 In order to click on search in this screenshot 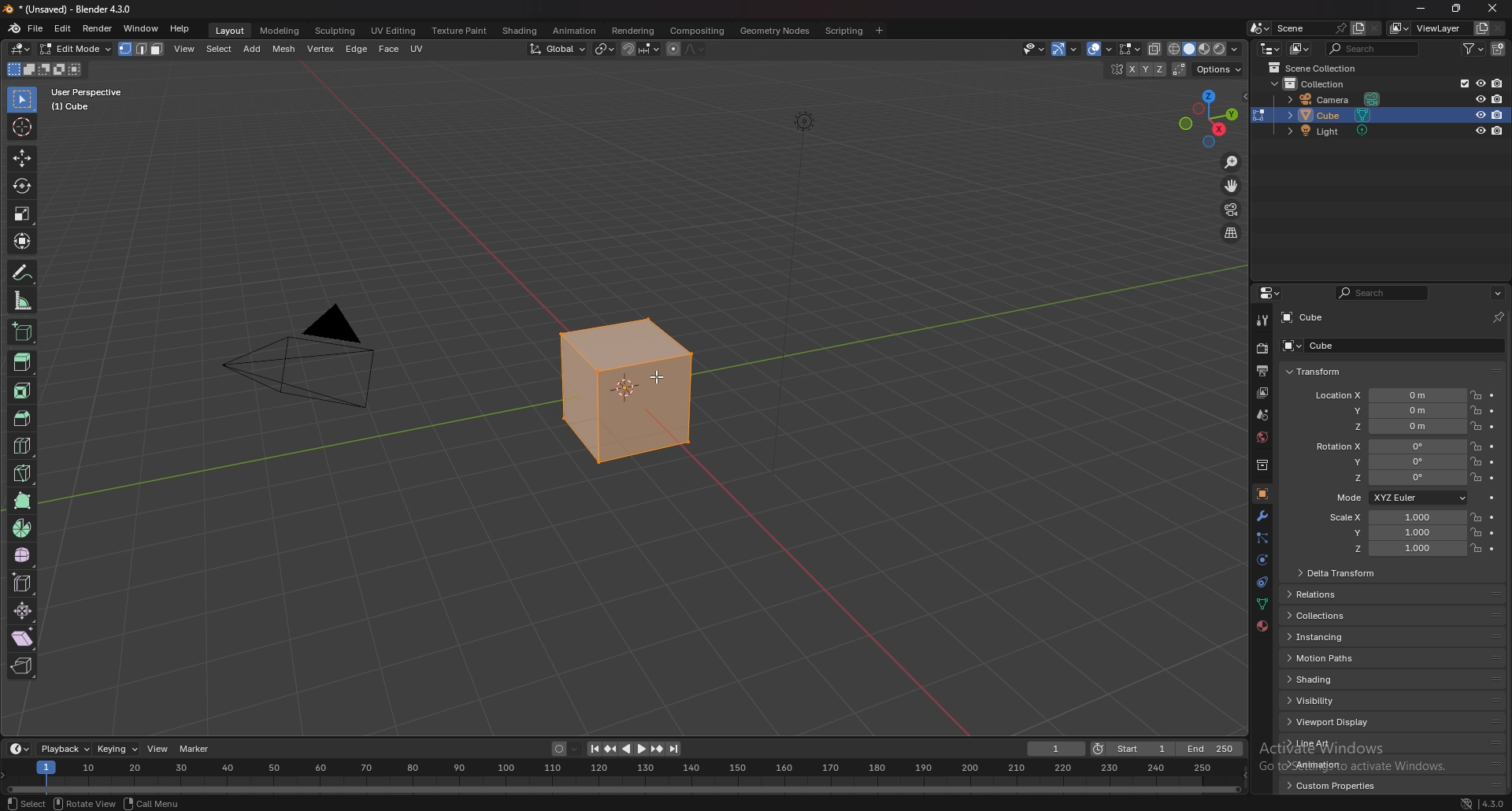, I will do `click(1373, 47)`.